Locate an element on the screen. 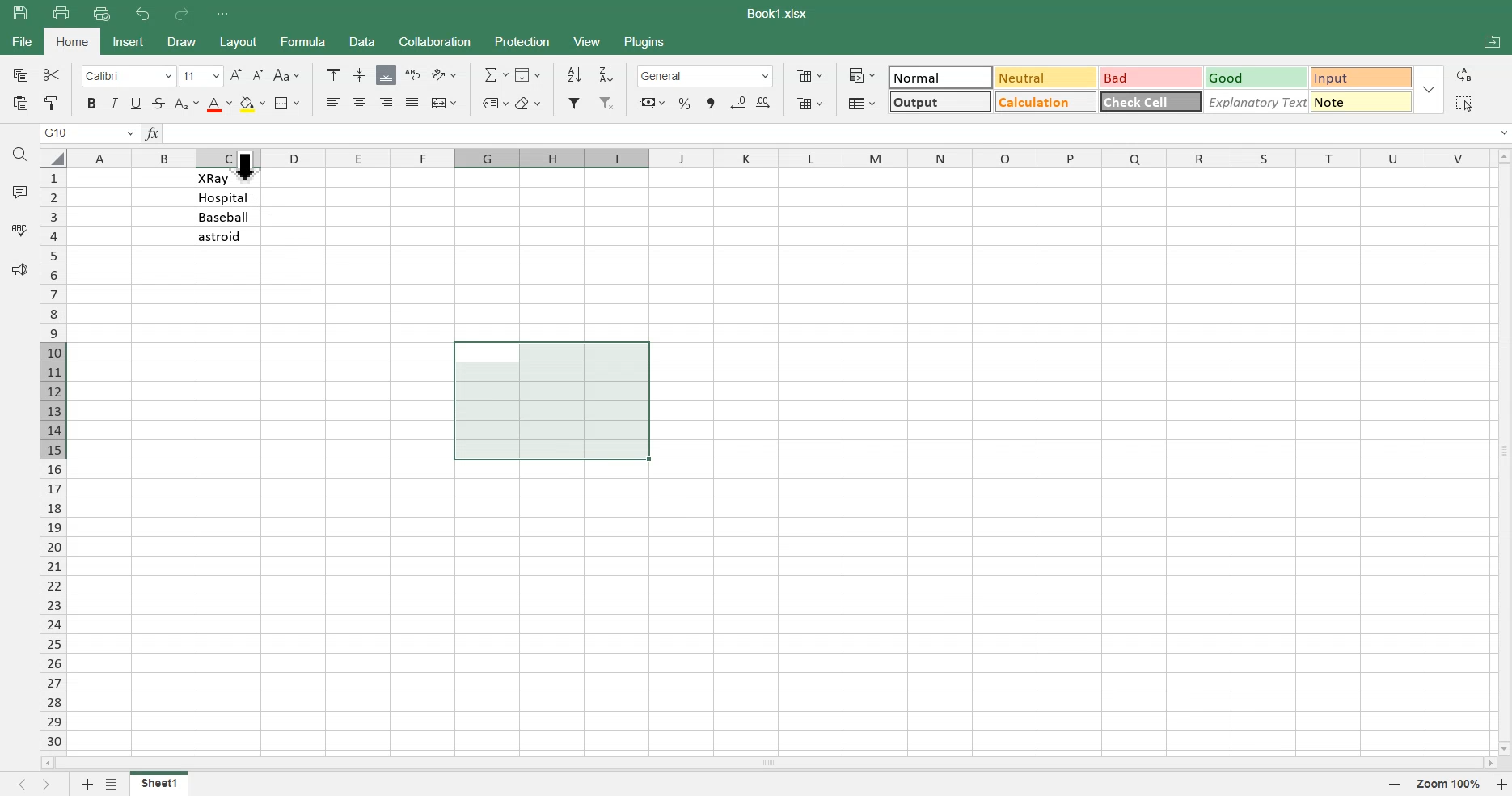 The width and height of the screenshot is (1512, 796). Vertical scroll bar is located at coordinates (1502, 450).